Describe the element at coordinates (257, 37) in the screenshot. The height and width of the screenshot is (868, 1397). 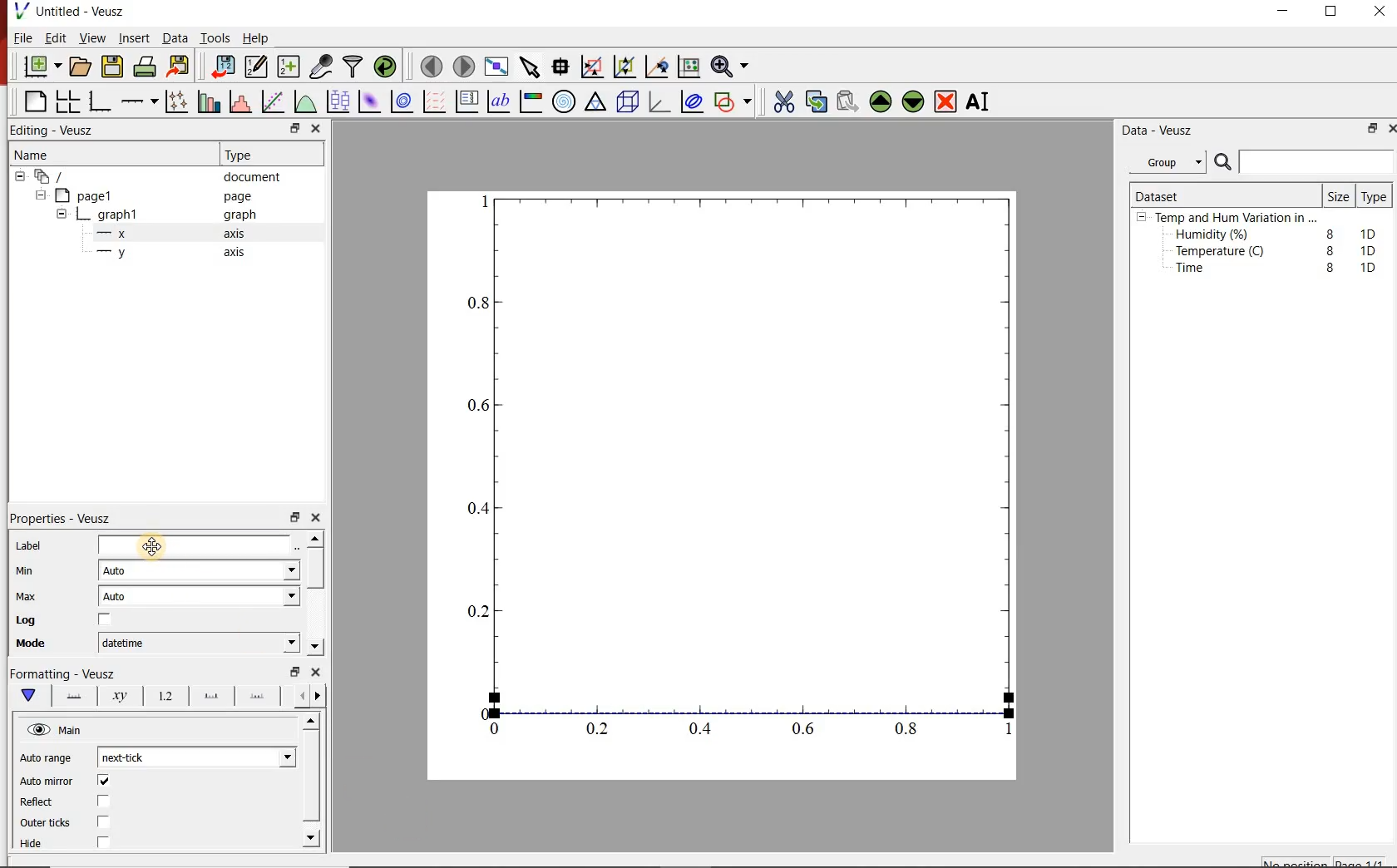
I see `Help` at that location.